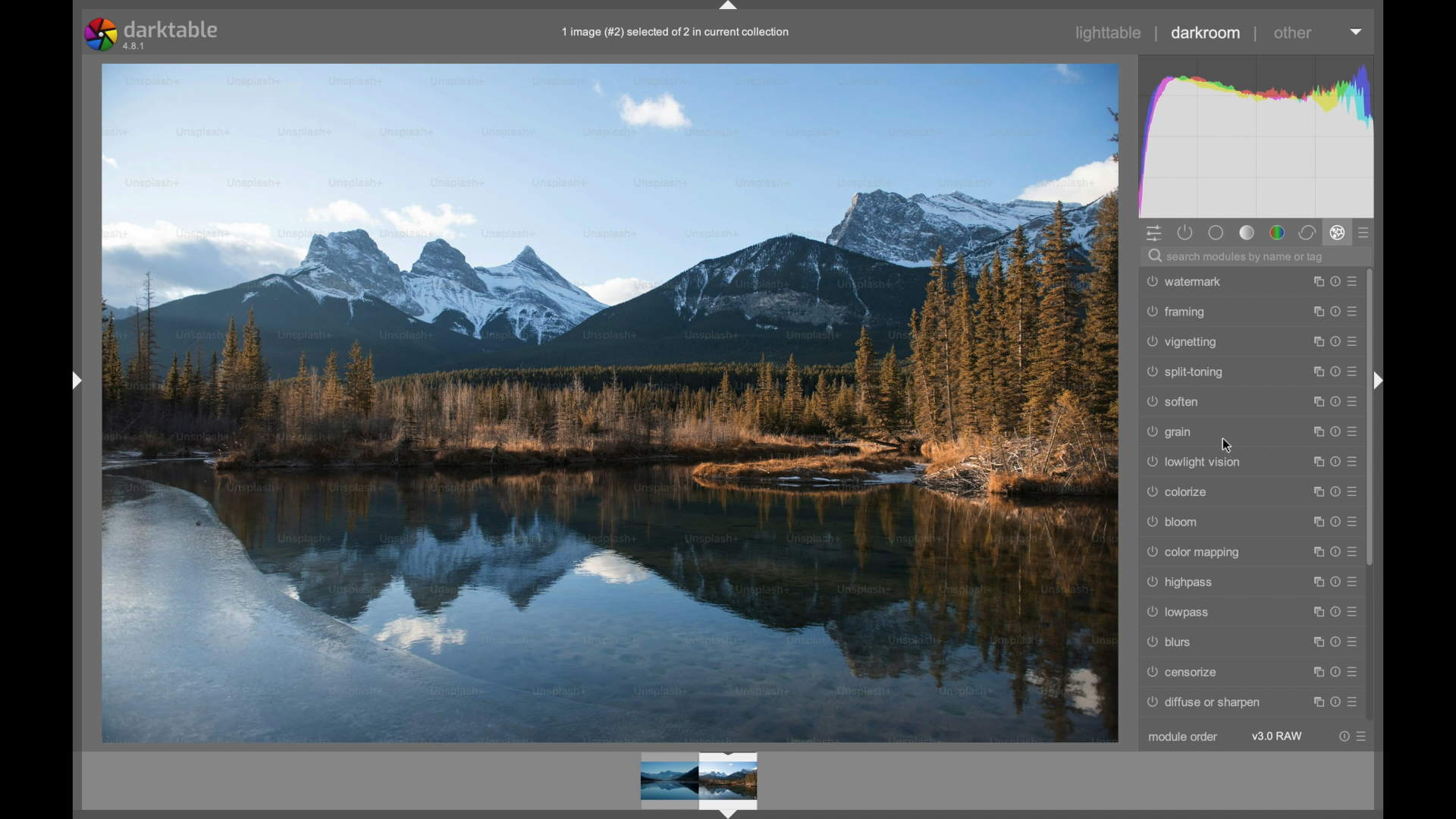  What do you see at coordinates (1291, 33) in the screenshot?
I see `other` at bounding box center [1291, 33].